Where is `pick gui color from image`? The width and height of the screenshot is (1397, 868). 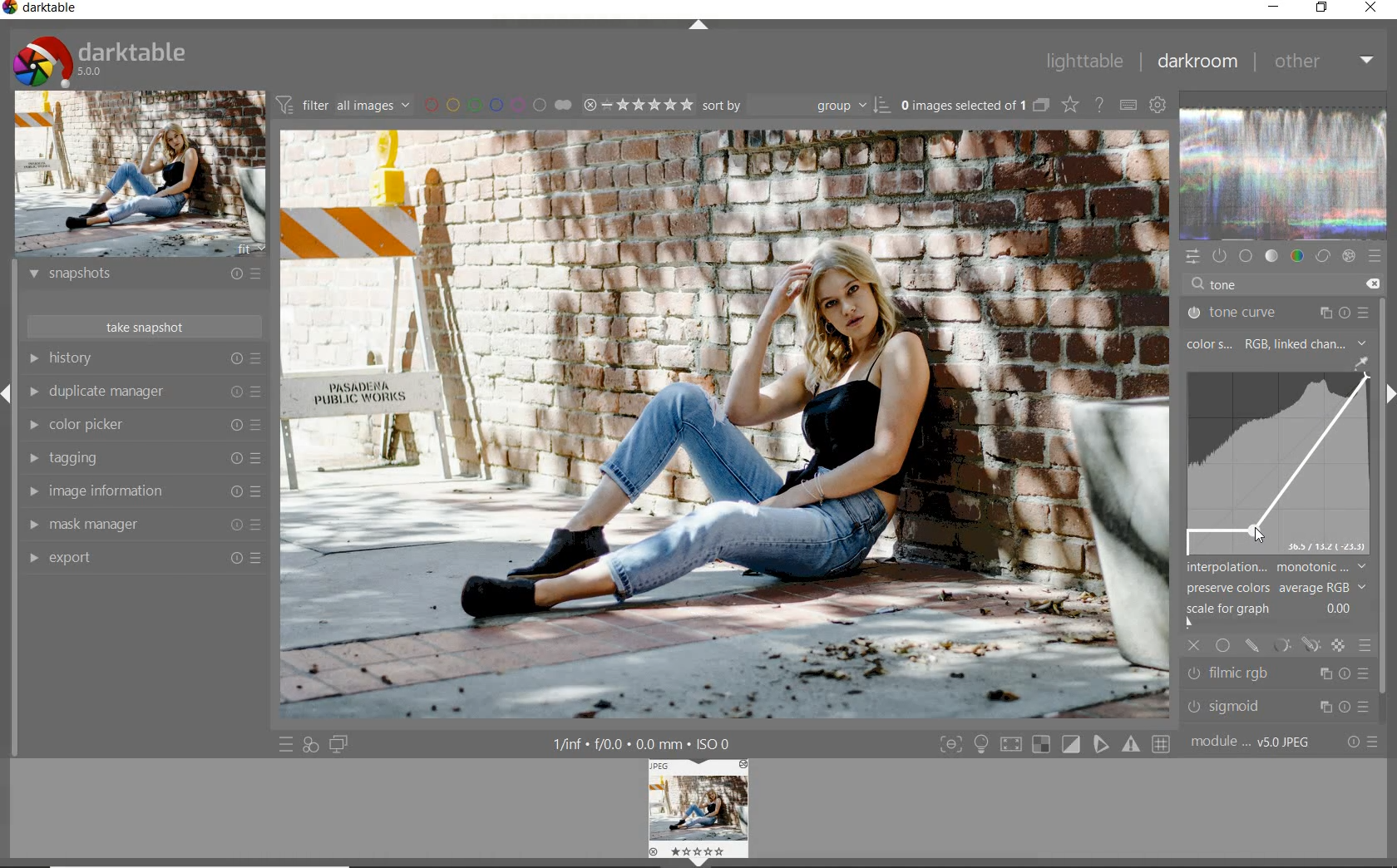 pick gui color from image is located at coordinates (1360, 362).